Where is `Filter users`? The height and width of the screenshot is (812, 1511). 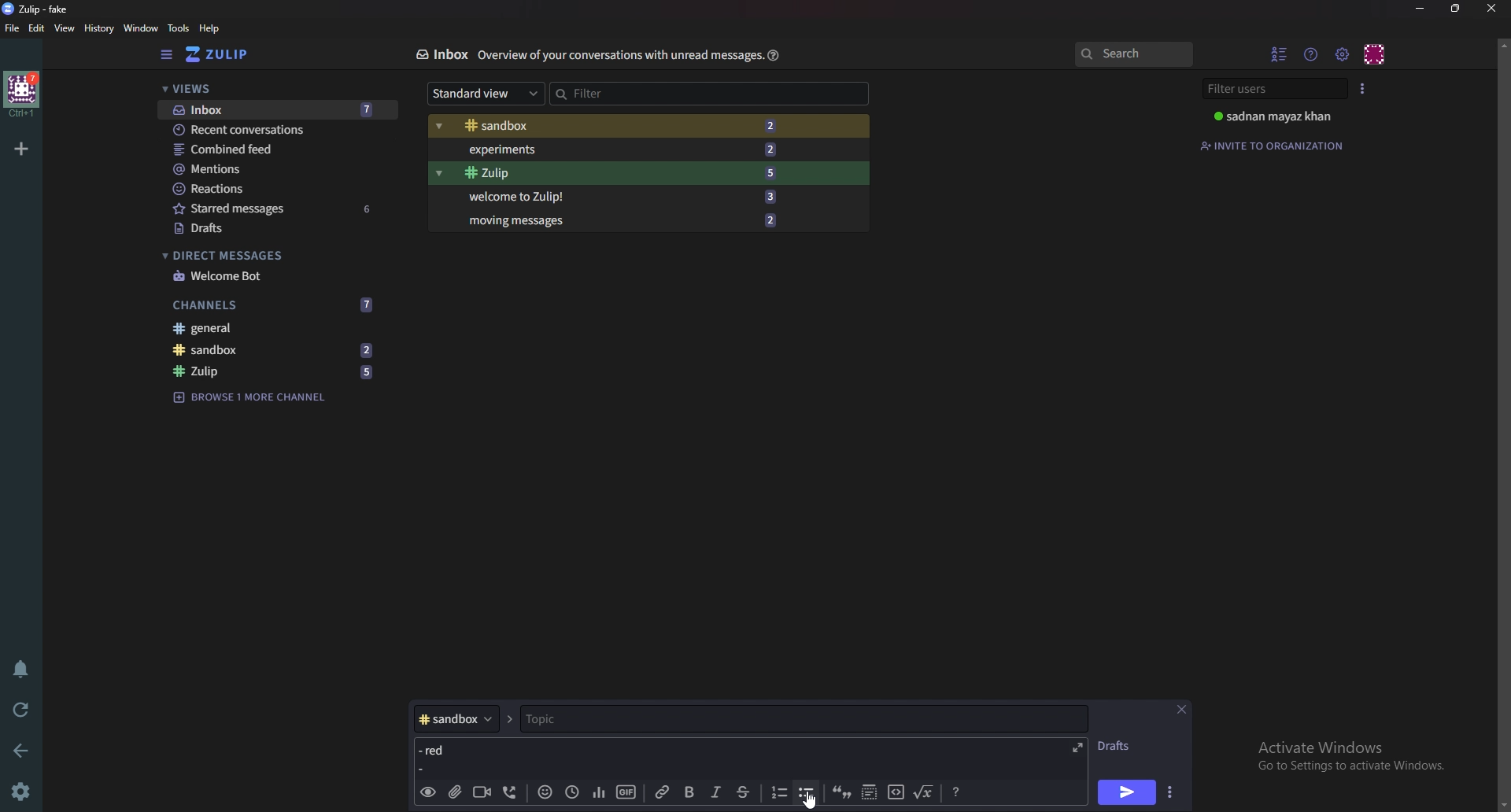 Filter users is located at coordinates (1277, 89).